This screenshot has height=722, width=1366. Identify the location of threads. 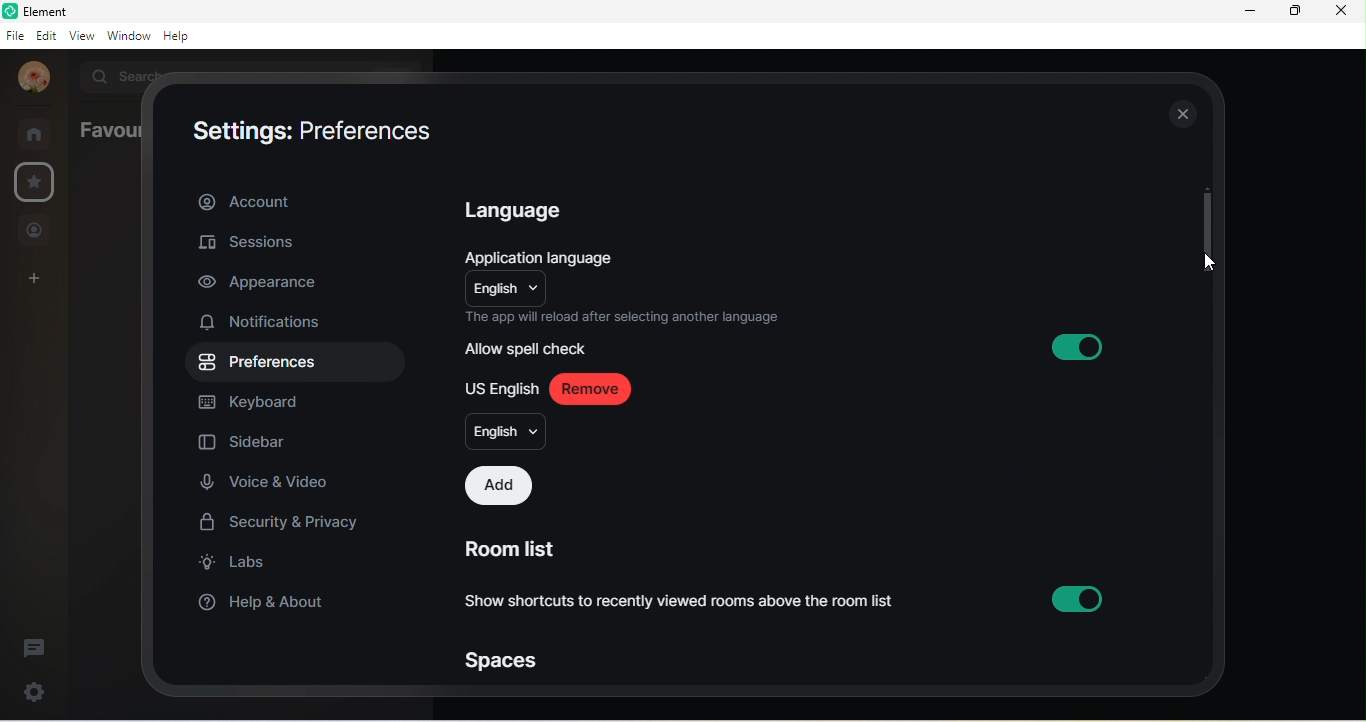
(41, 642).